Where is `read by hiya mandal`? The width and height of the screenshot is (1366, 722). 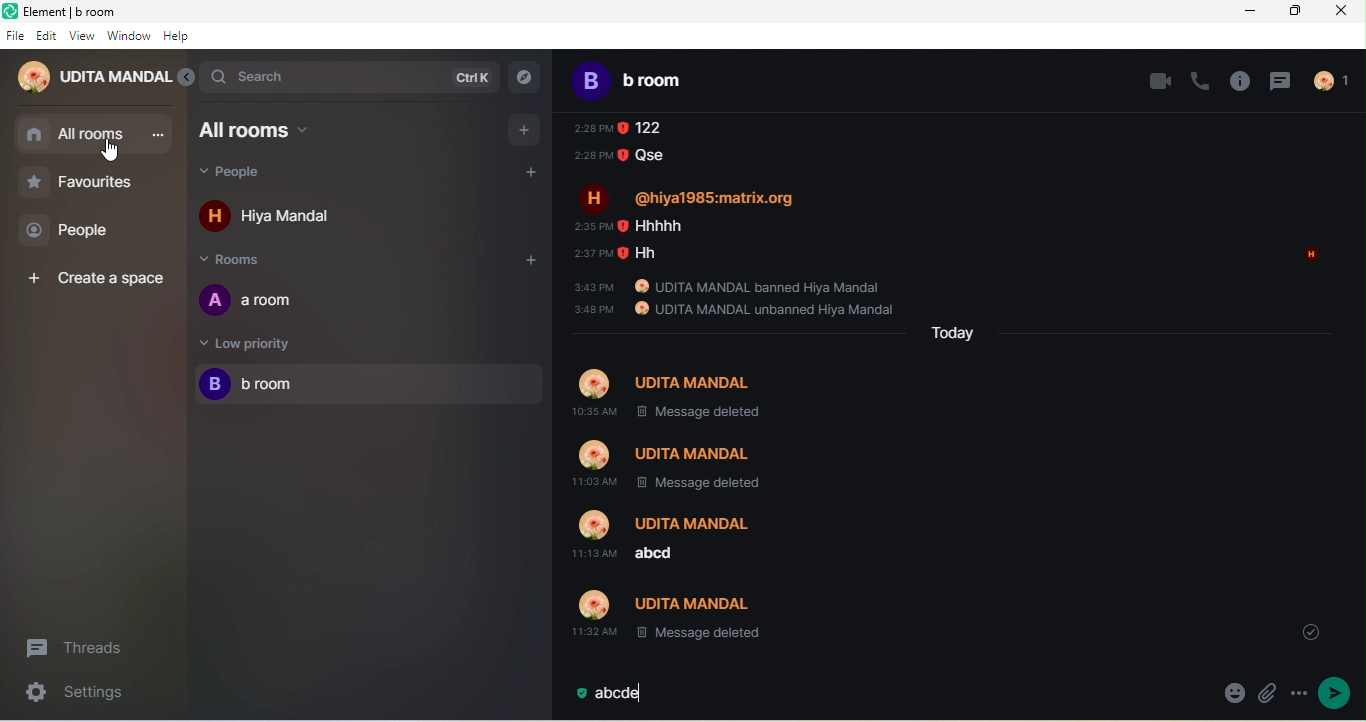
read by hiya mandal is located at coordinates (1308, 259).